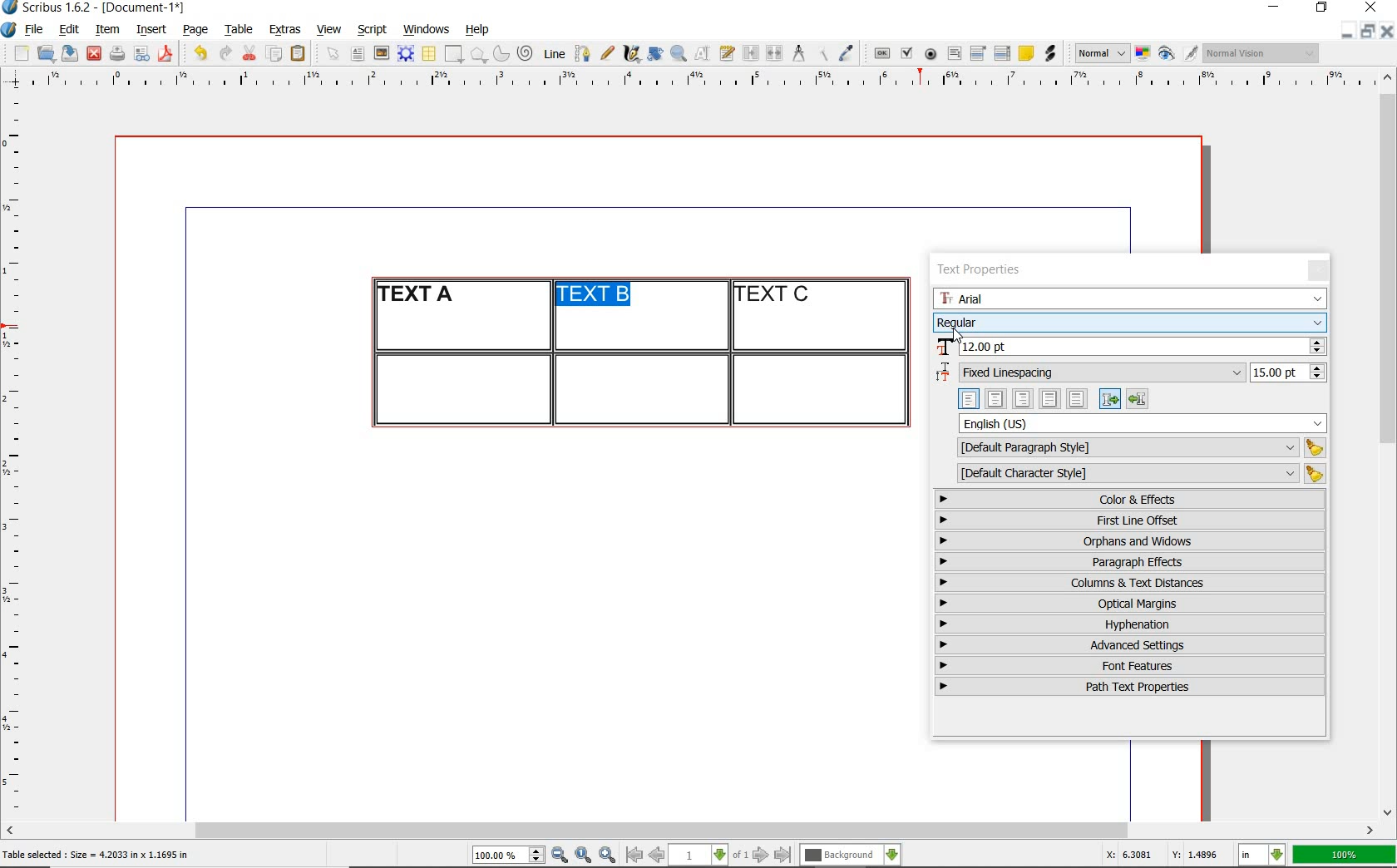 This screenshot has width=1397, height=868. Describe the element at coordinates (584, 856) in the screenshot. I see `zoom to` at that location.